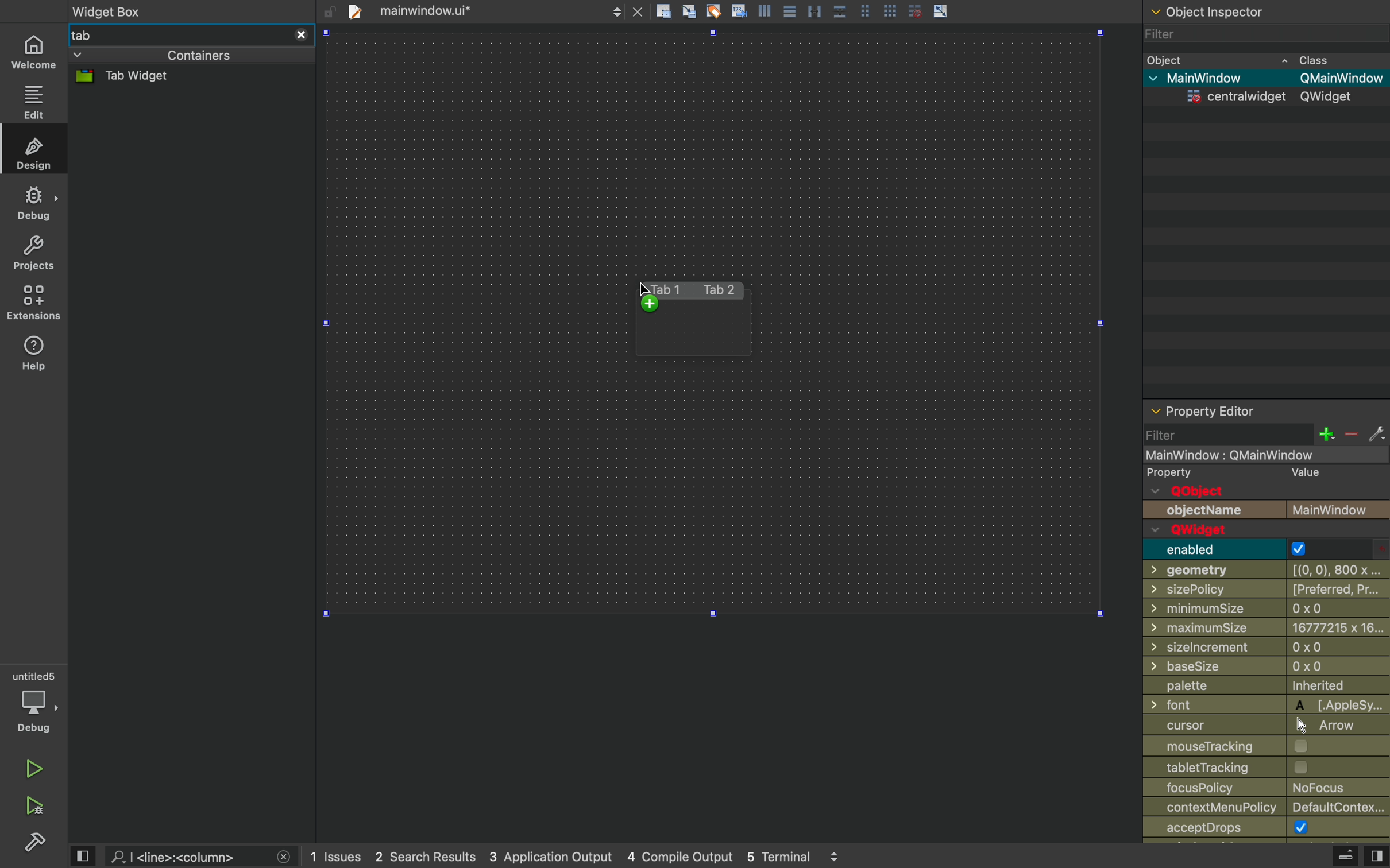 The image size is (1390, 868). I want to click on focuspolicy, so click(1268, 789).